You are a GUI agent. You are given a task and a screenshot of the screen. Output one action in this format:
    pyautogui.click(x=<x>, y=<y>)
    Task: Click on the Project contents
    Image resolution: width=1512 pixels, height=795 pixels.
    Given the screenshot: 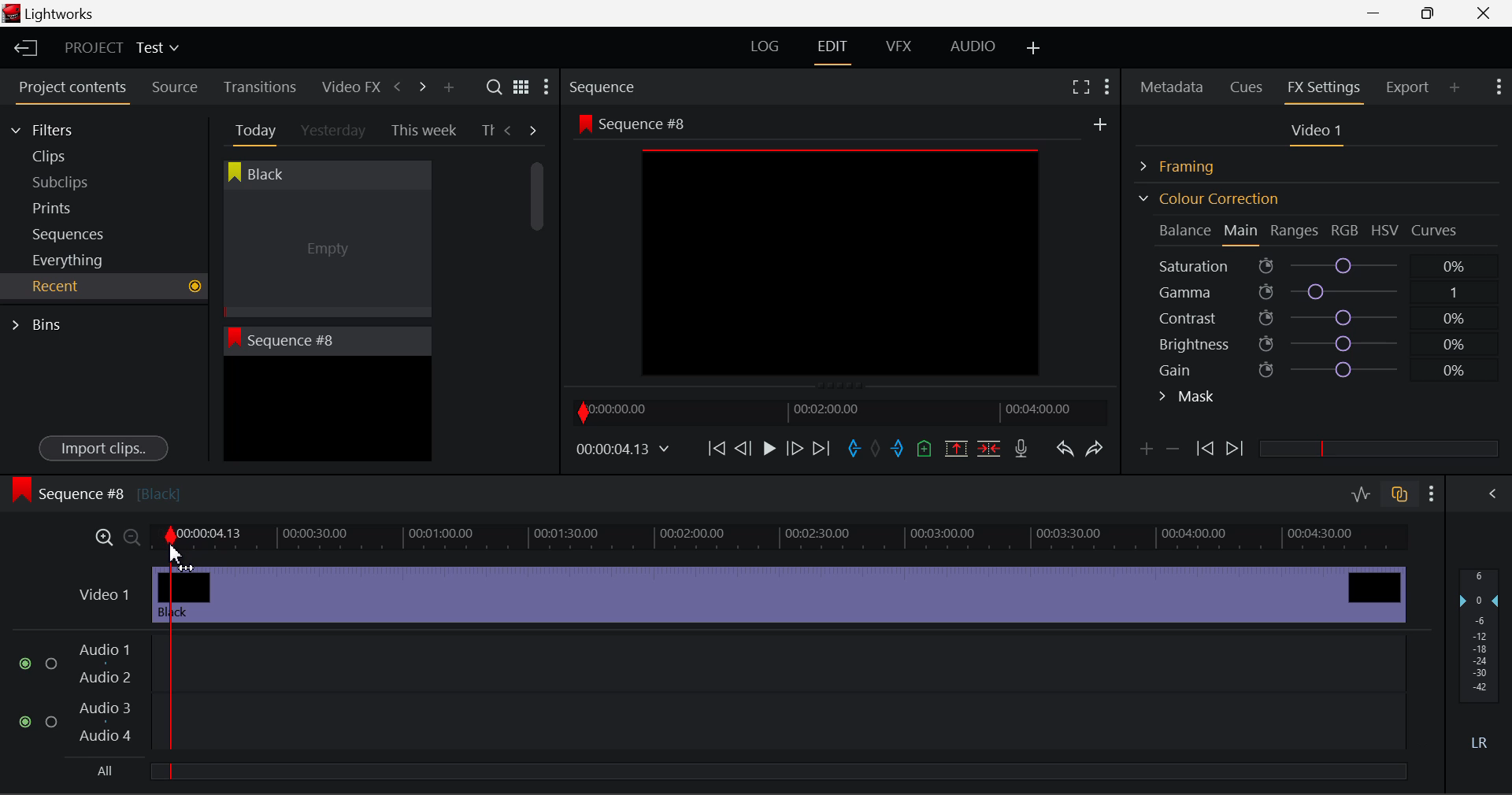 What is the action you would take?
    pyautogui.click(x=72, y=91)
    